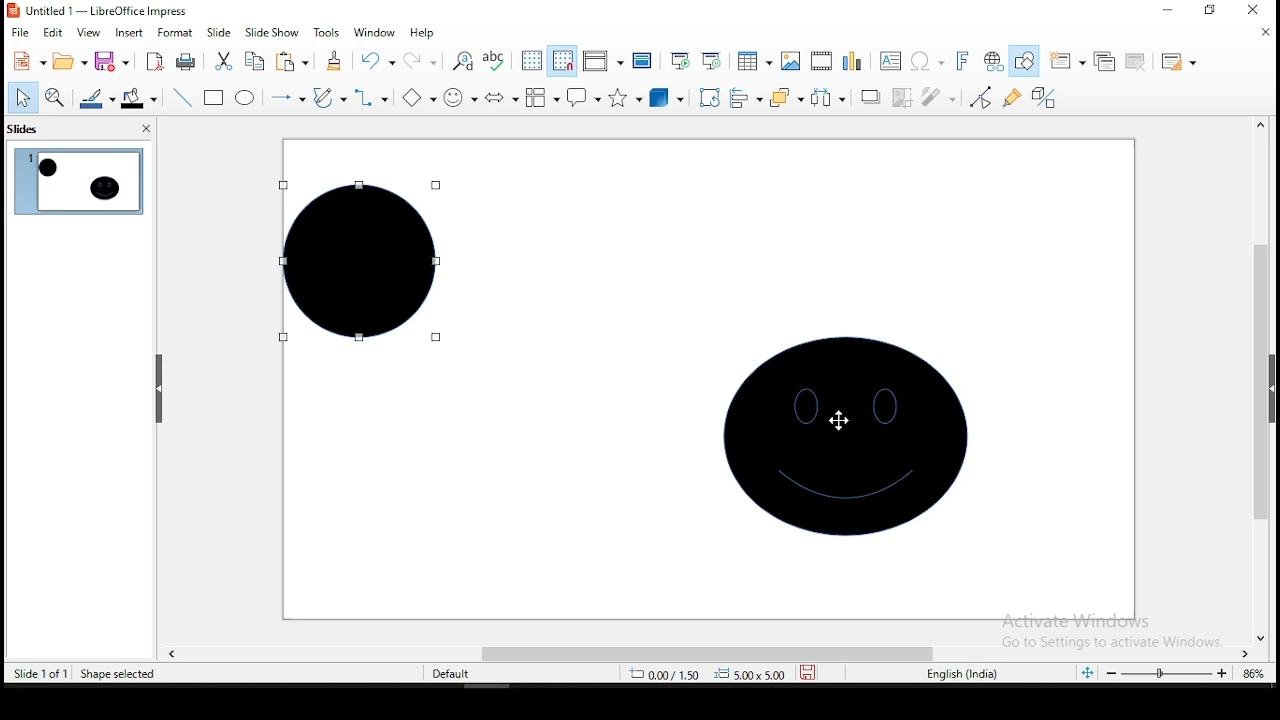 The height and width of the screenshot is (720, 1280). I want to click on undo, so click(377, 61).